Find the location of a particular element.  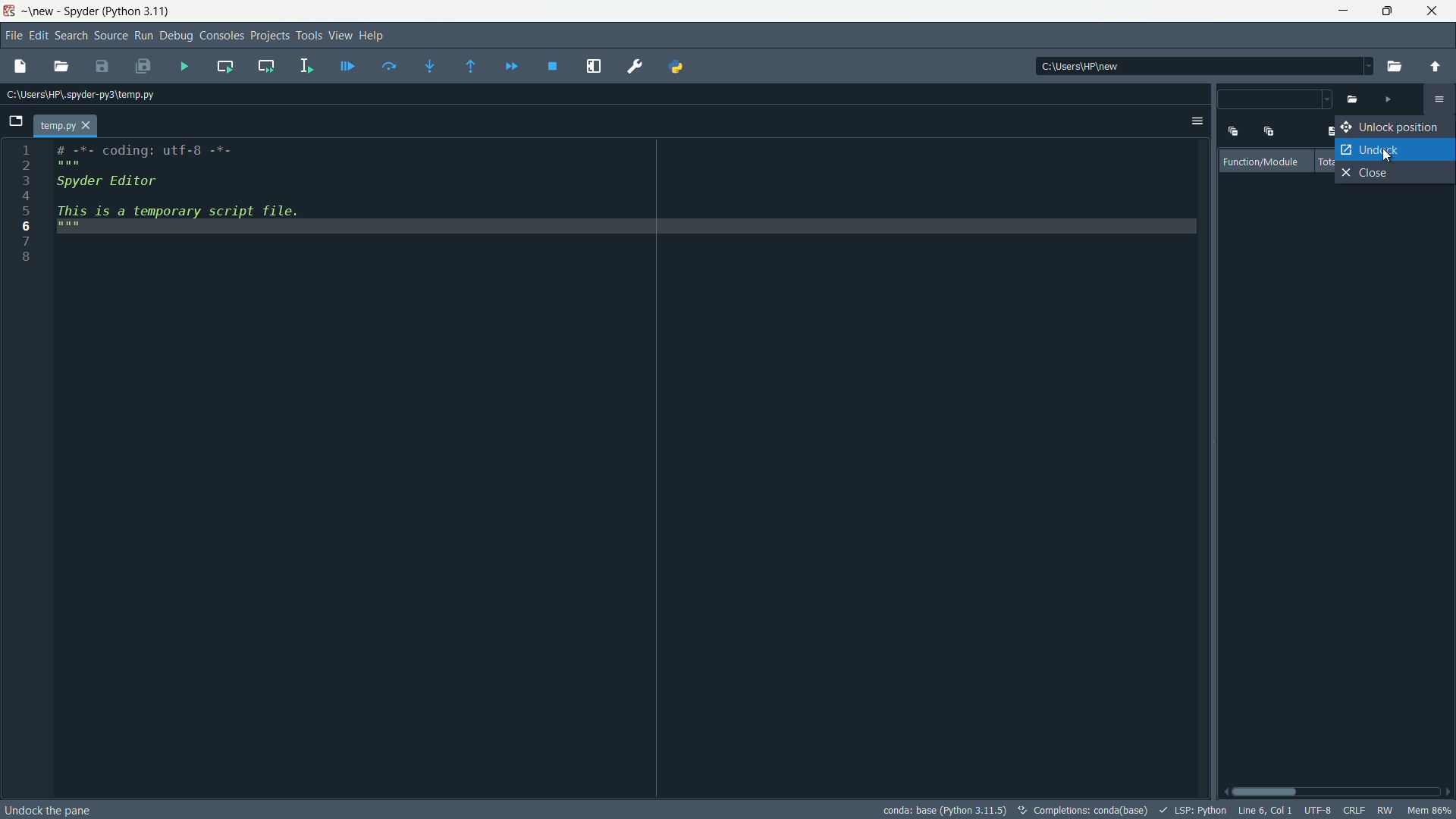

run menu is located at coordinates (144, 36).